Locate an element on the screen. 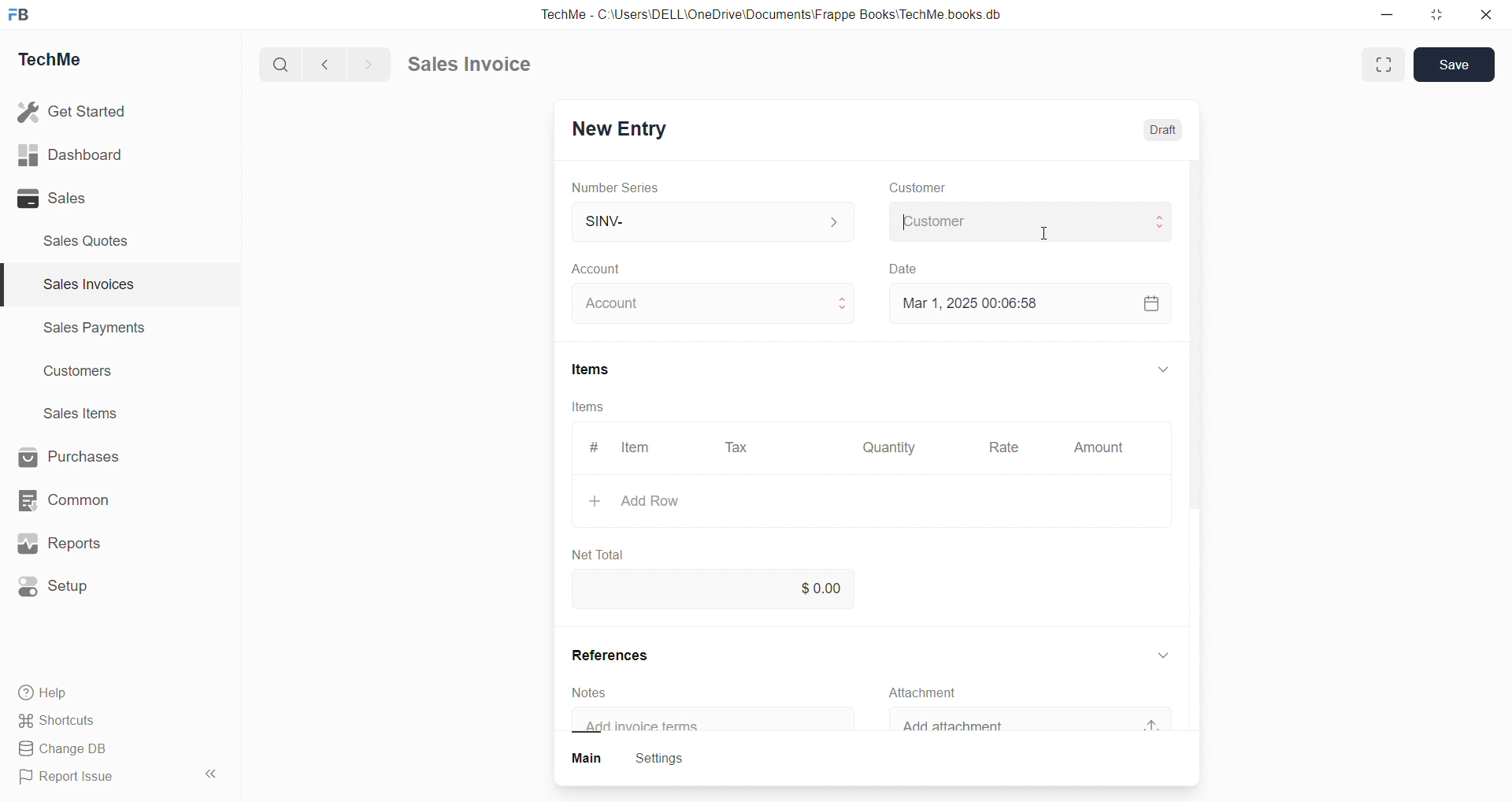 This screenshot has height=802, width=1512. Account is located at coordinates (621, 304).